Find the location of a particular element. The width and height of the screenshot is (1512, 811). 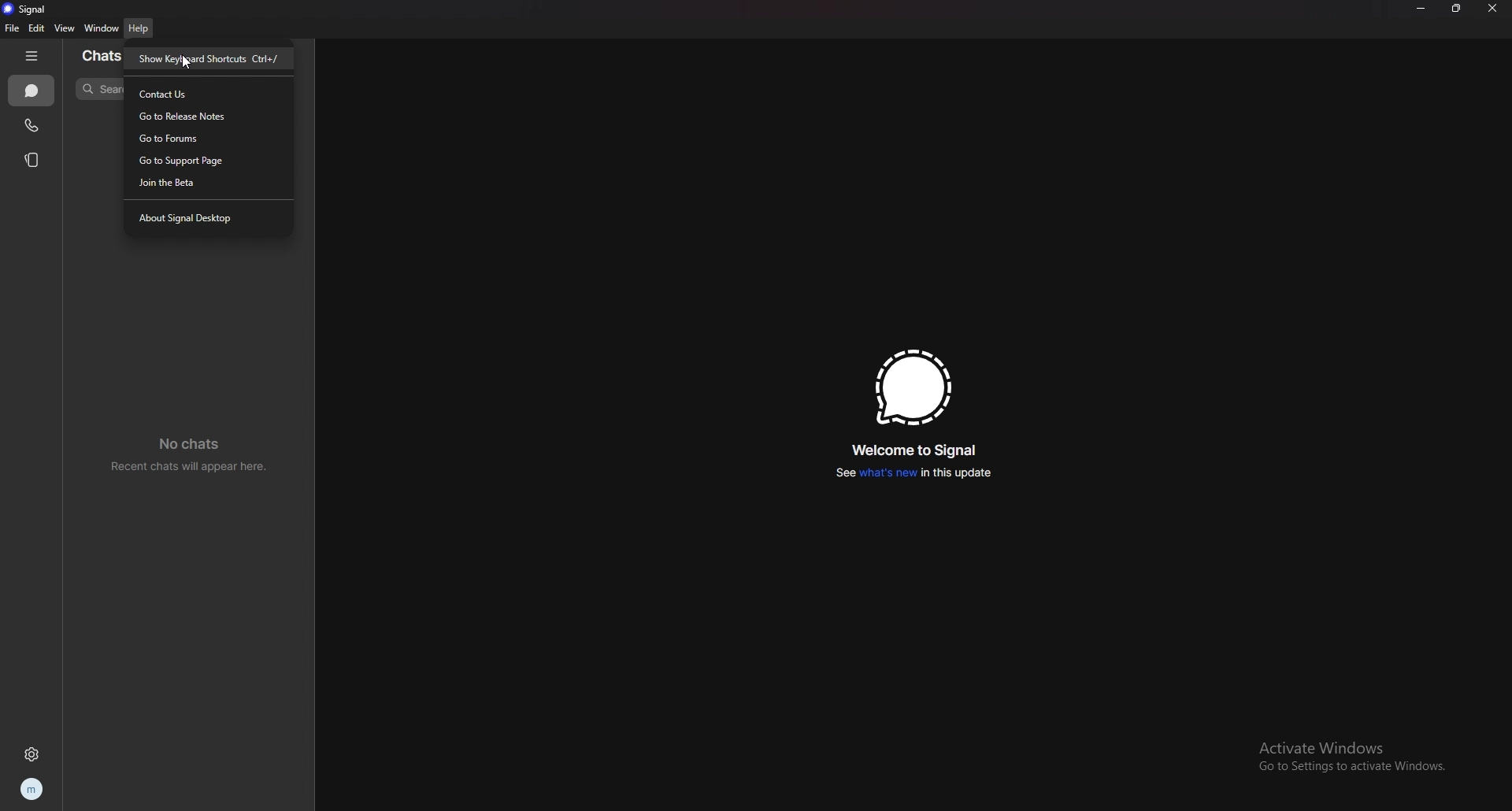

cursor is located at coordinates (187, 63).